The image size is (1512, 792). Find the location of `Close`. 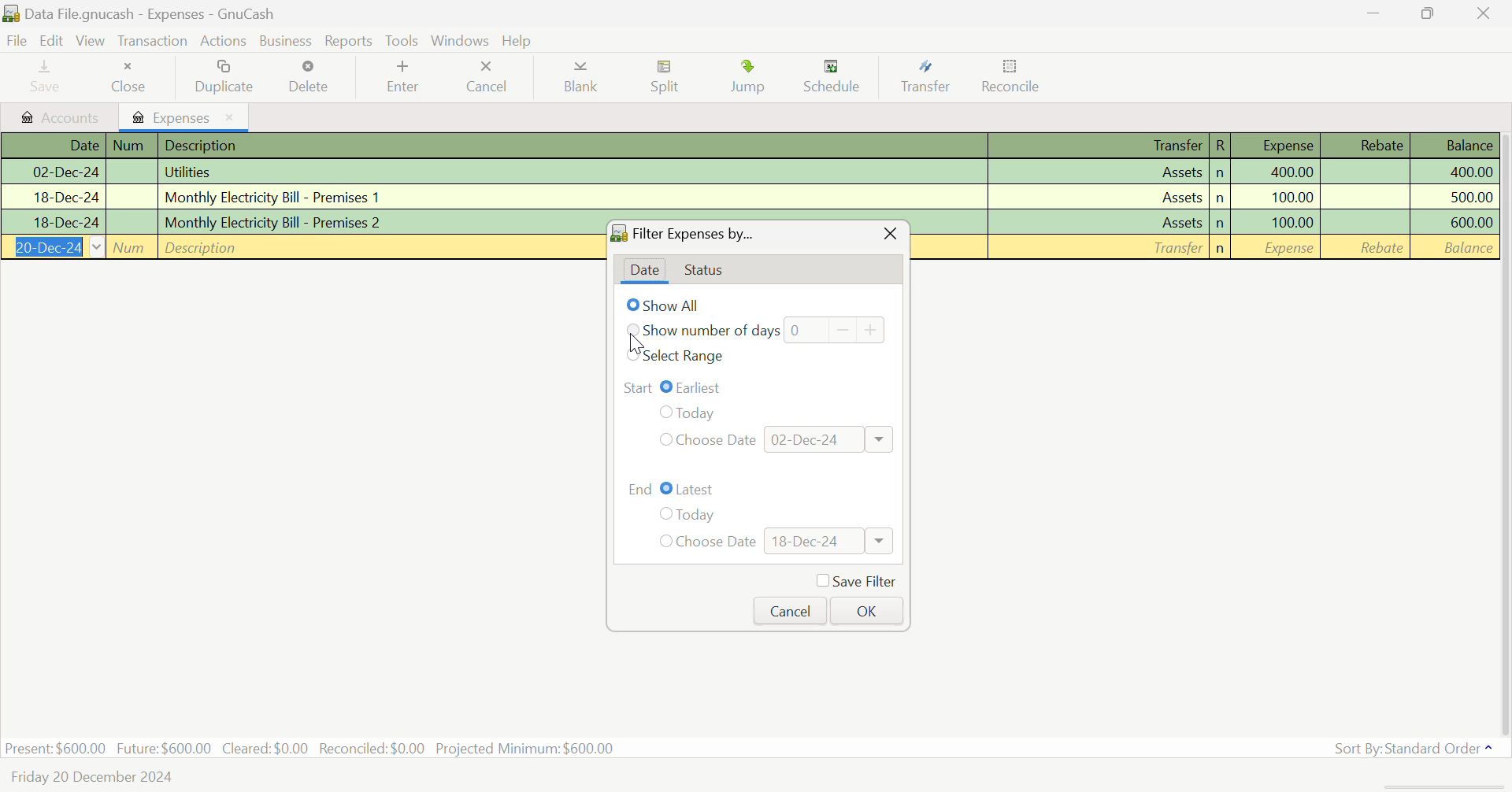

Close is located at coordinates (889, 235).